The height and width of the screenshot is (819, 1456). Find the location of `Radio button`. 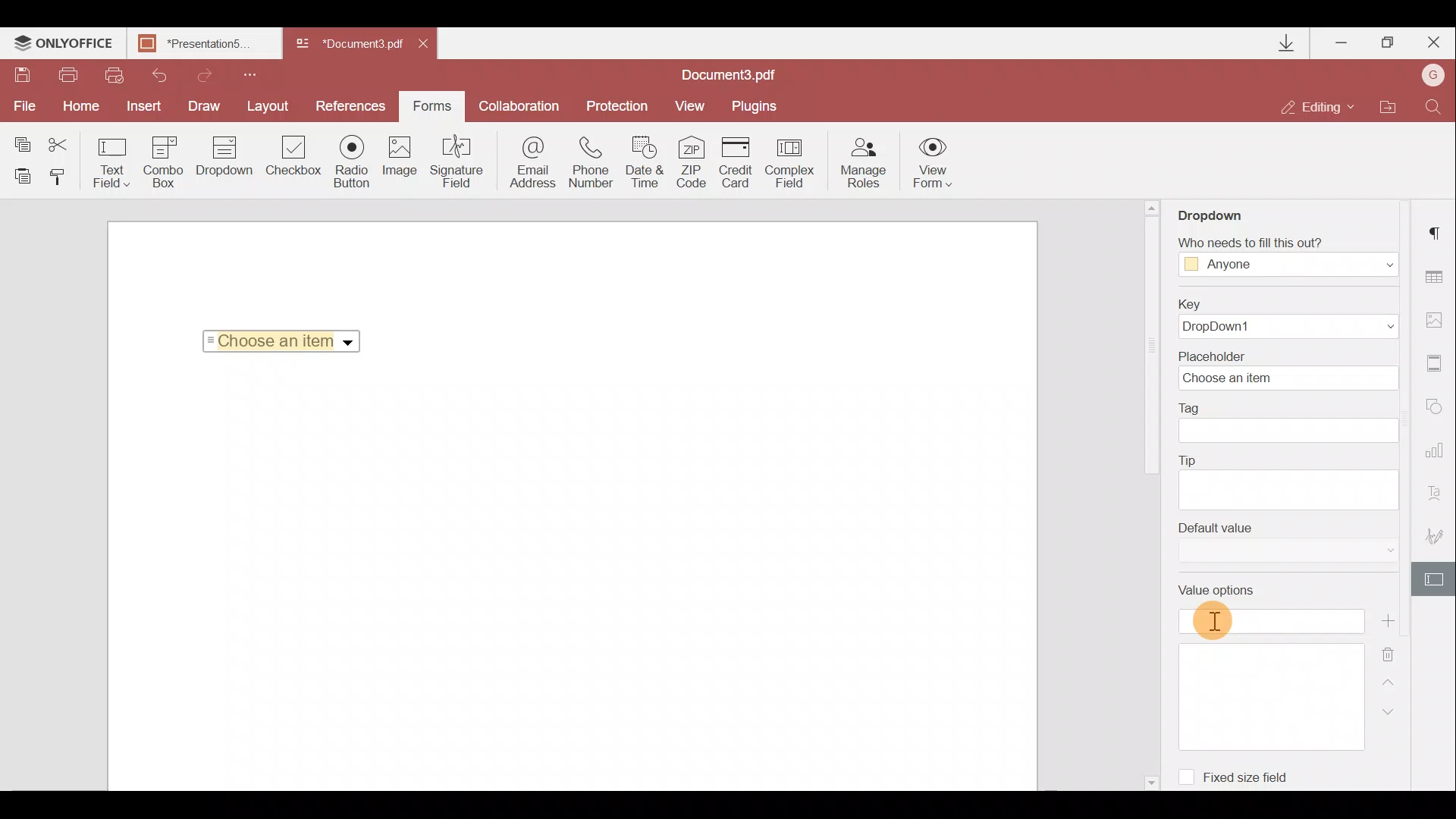

Radio button is located at coordinates (352, 161).